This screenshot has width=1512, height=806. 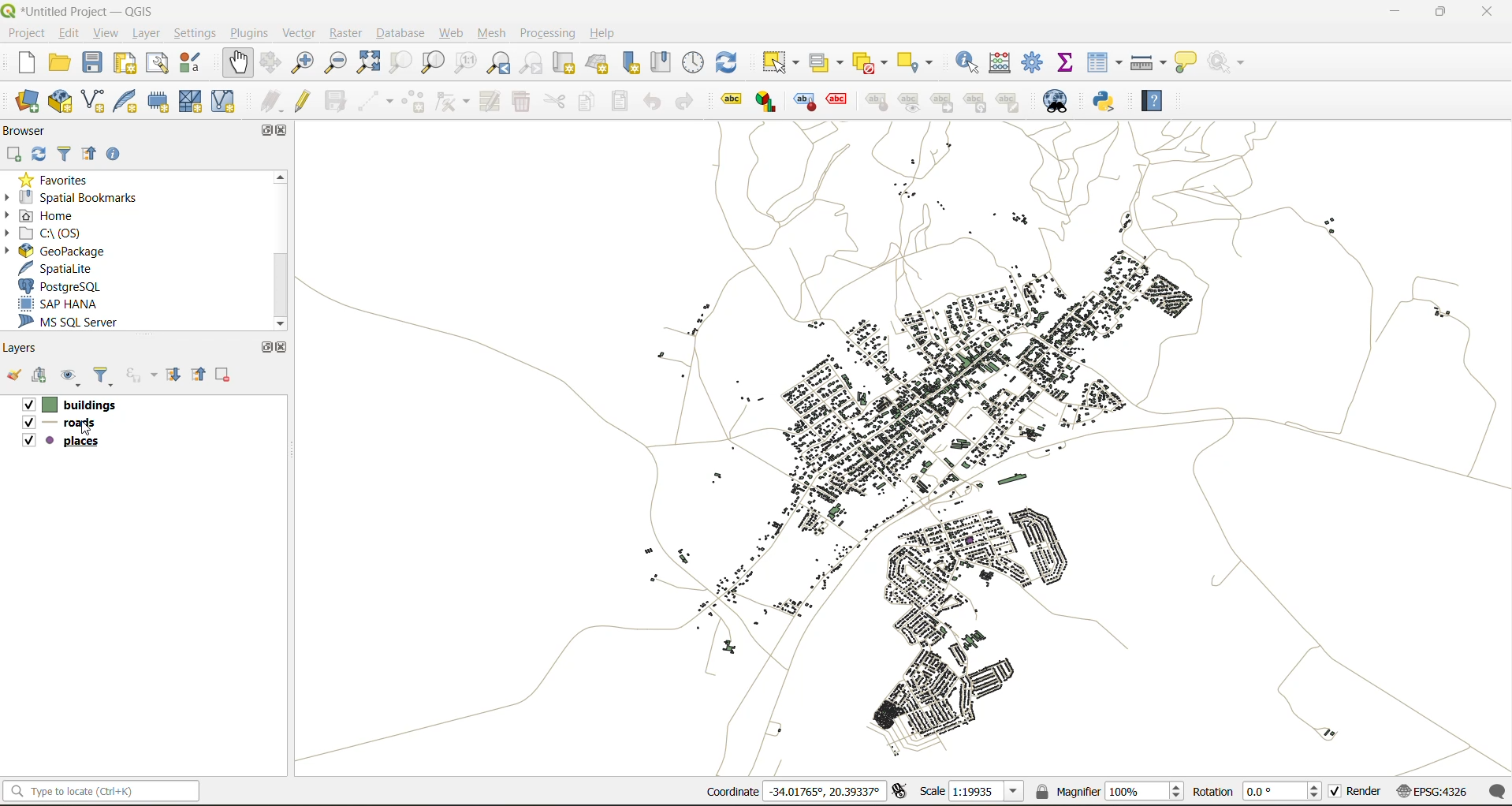 I want to click on show spatial bookmark, so click(x=662, y=65).